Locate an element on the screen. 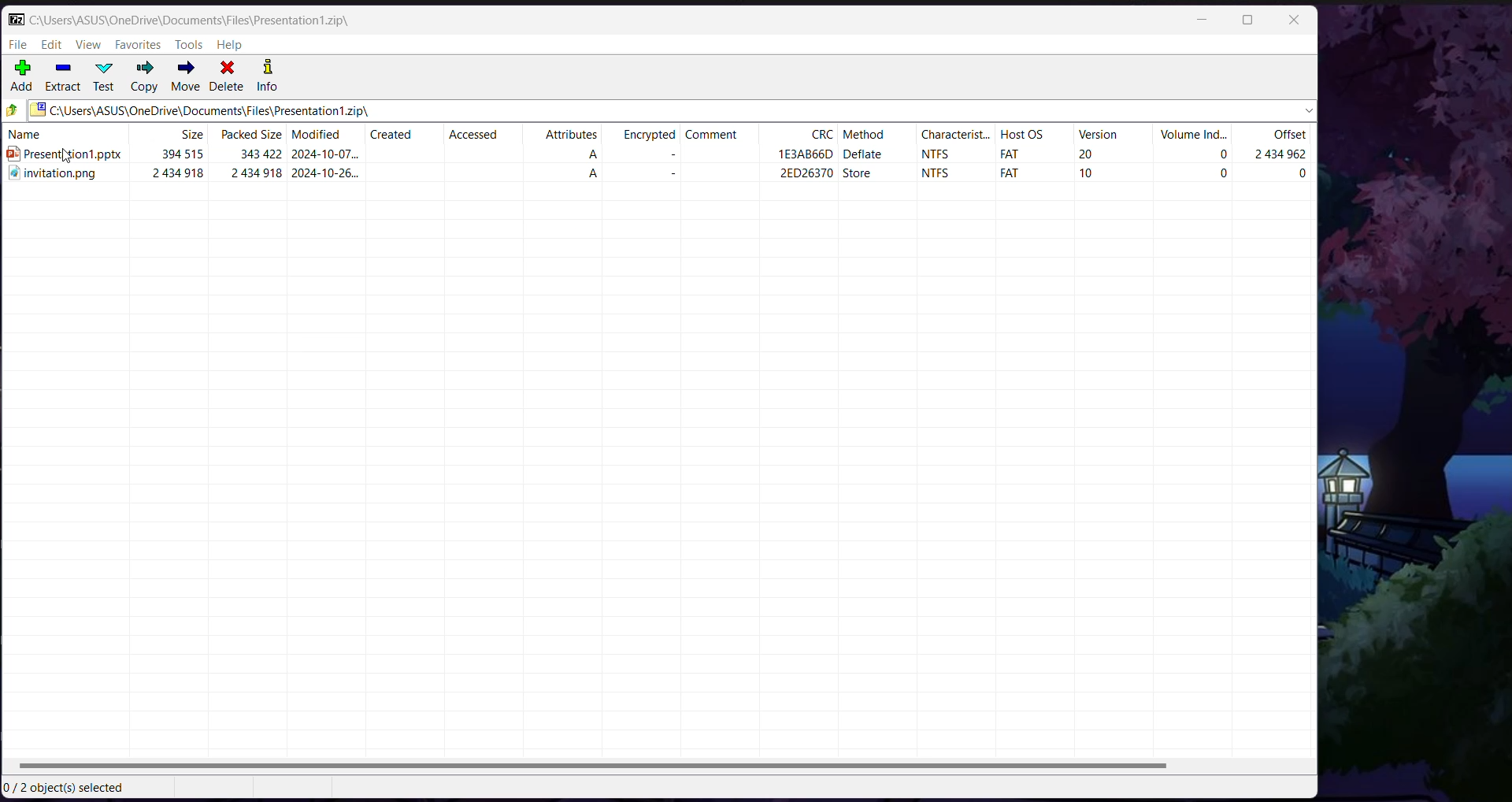 Image resolution: width=1512 pixels, height=802 pixels. #4 invitation.png is located at coordinates (54, 177).